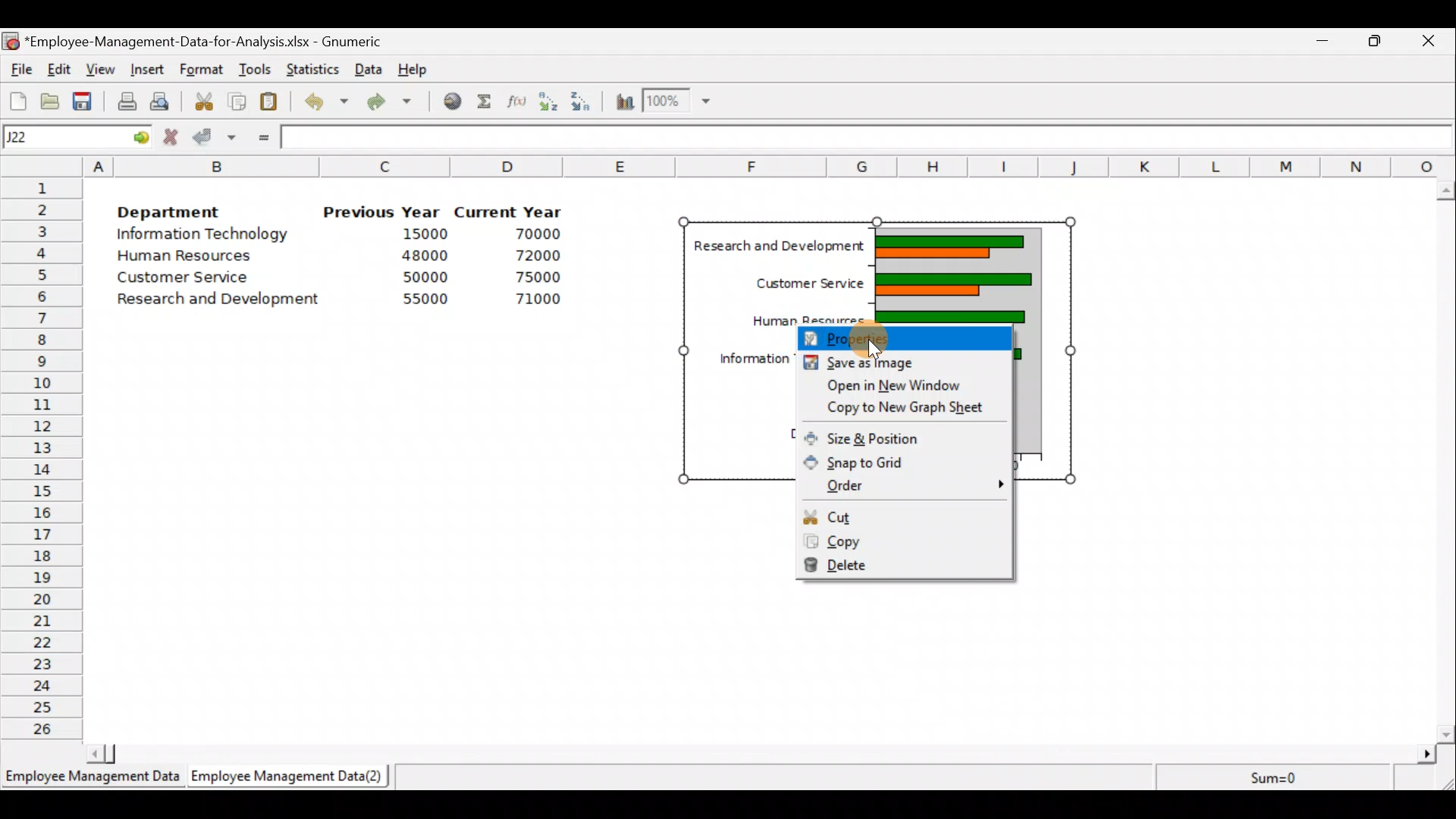  What do you see at coordinates (755, 753) in the screenshot?
I see `Scroll bar` at bounding box center [755, 753].